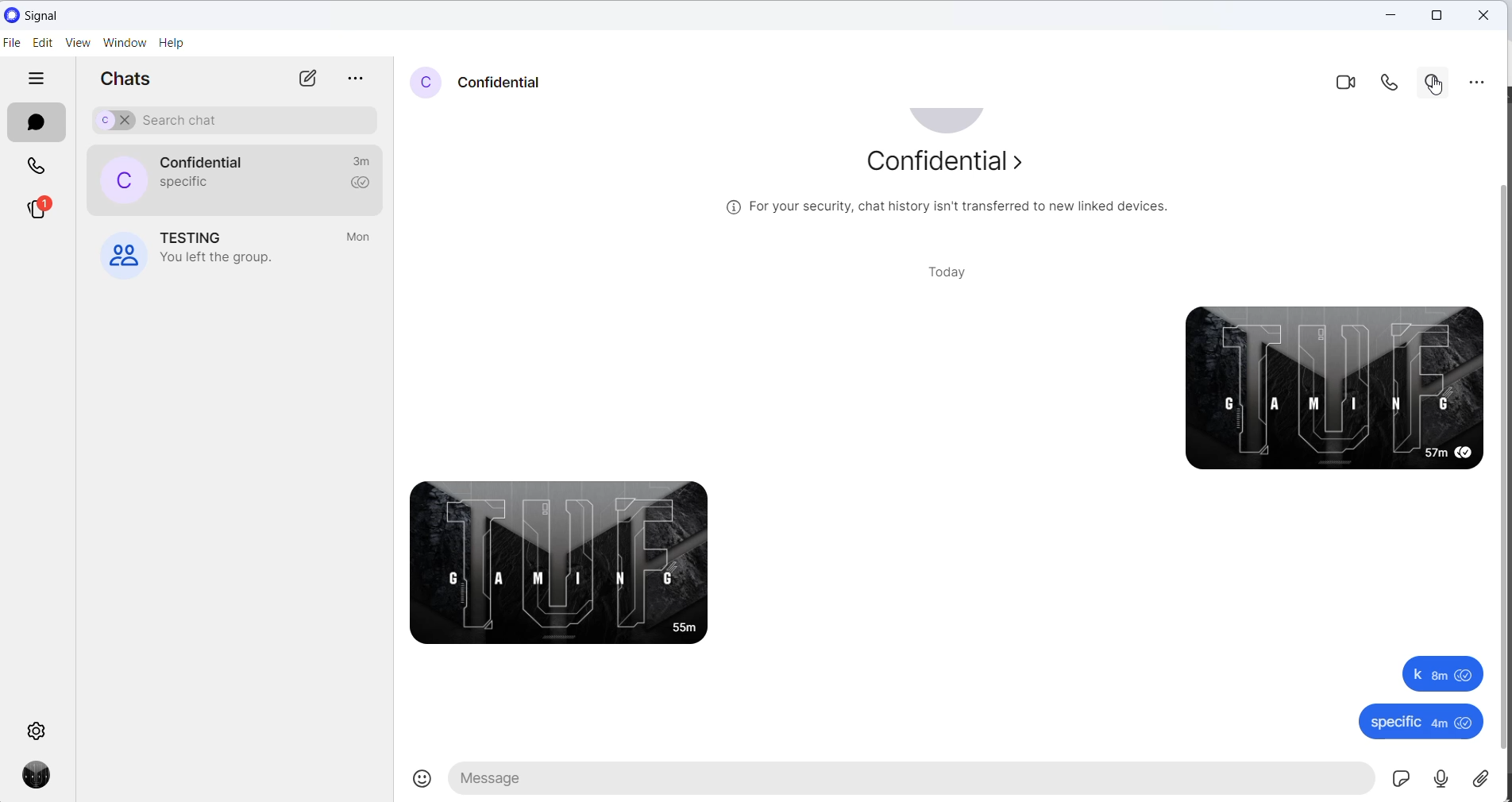  What do you see at coordinates (1439, 781) in the screenshot?
I see `voice mail` at bounding box center [1439, 781].